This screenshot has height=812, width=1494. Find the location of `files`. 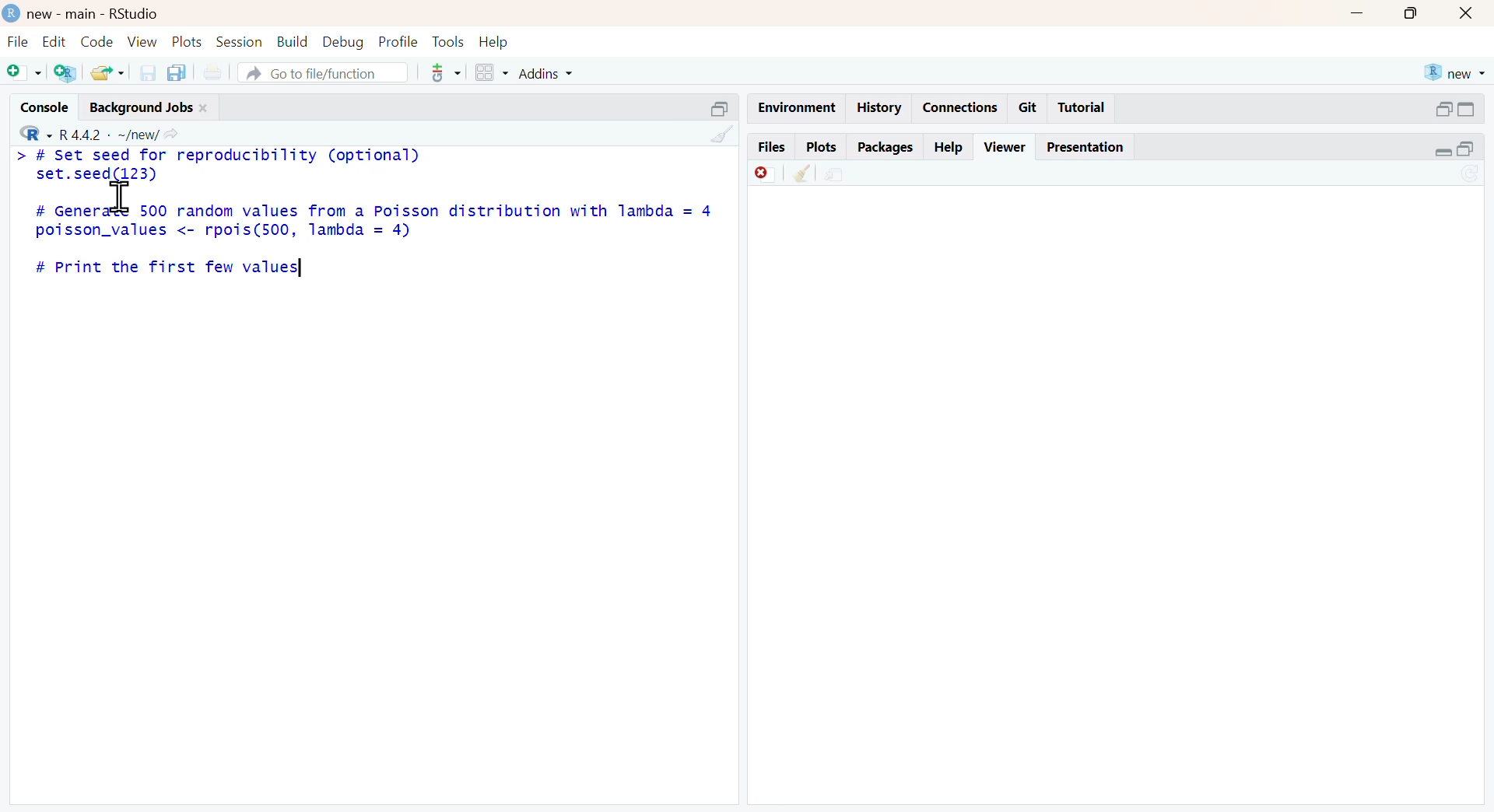

files is located at coordinates (773, 145).